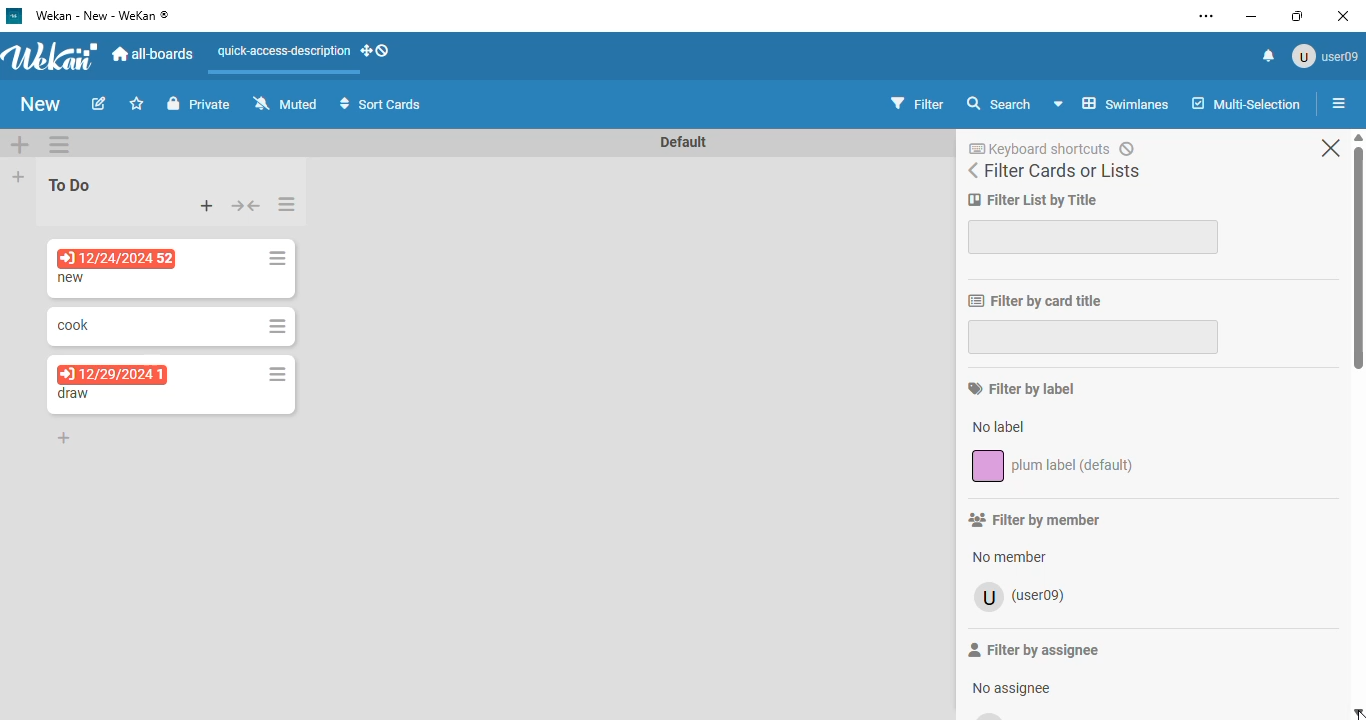 The height and width of the screenshot is (720, 1366). I want to click on filter list by title, so click(1034, 200).